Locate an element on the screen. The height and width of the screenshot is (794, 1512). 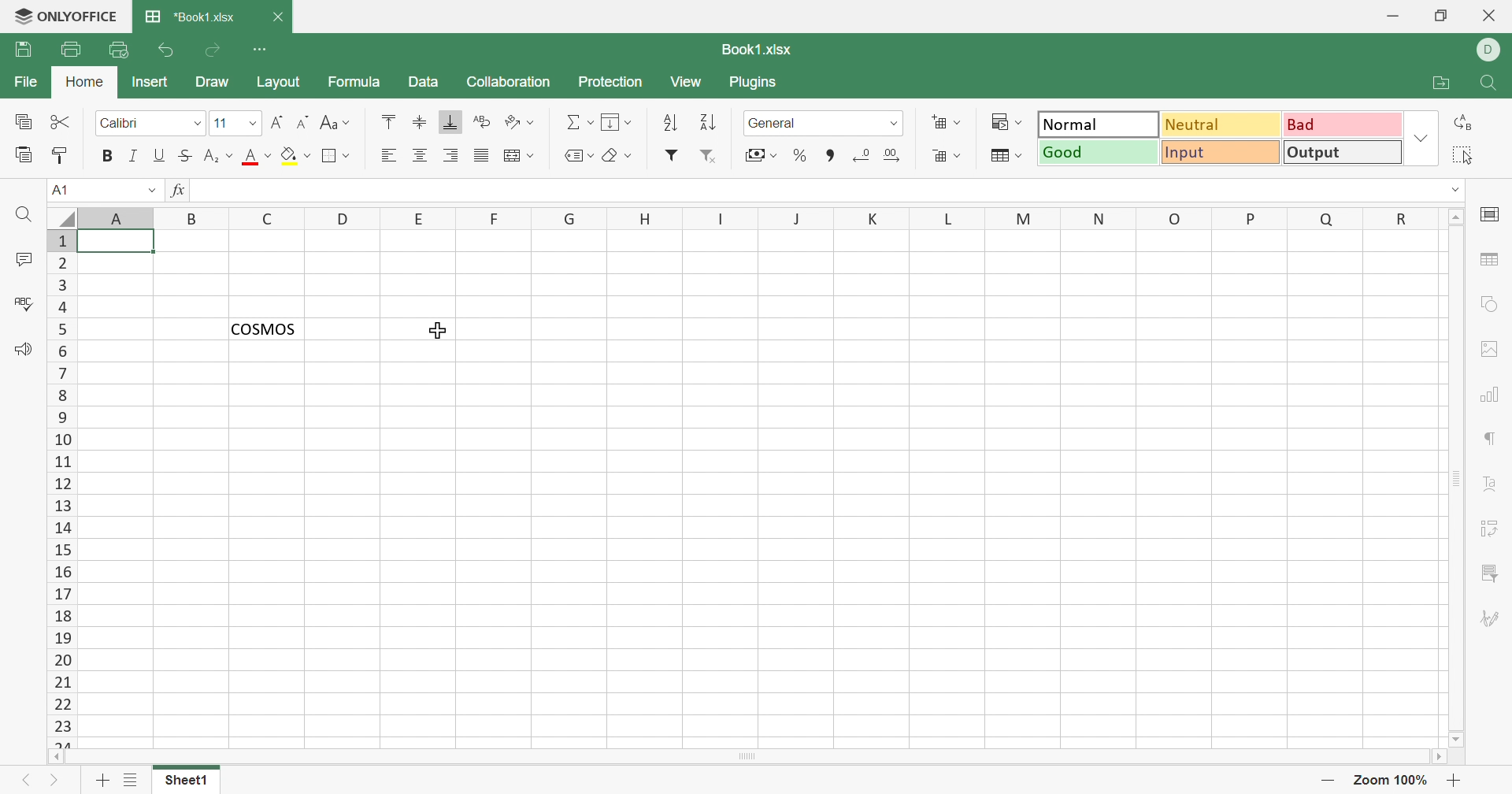
Slicer settings is located at coordinates (1492, 575).